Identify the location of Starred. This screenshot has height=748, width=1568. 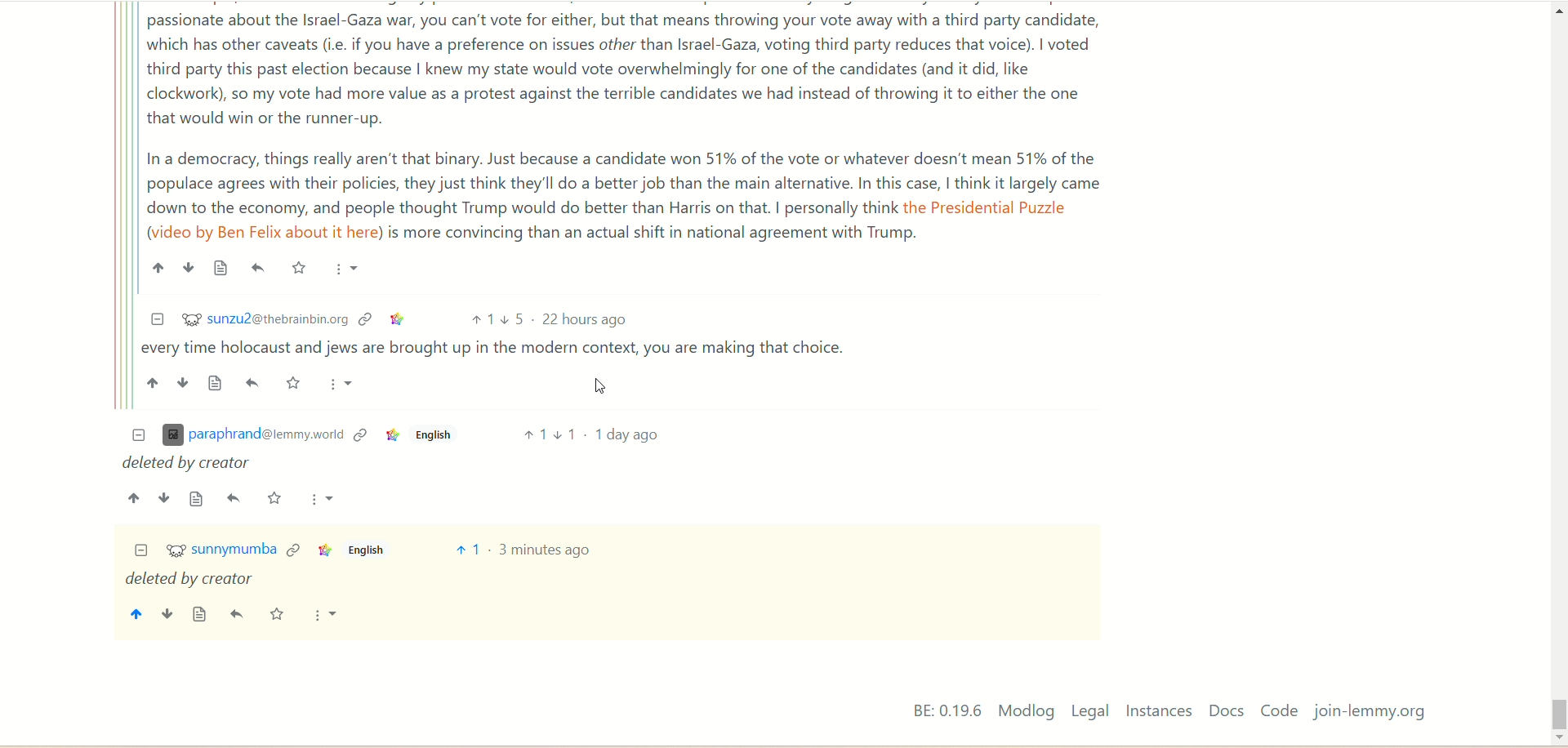
(298, 267).